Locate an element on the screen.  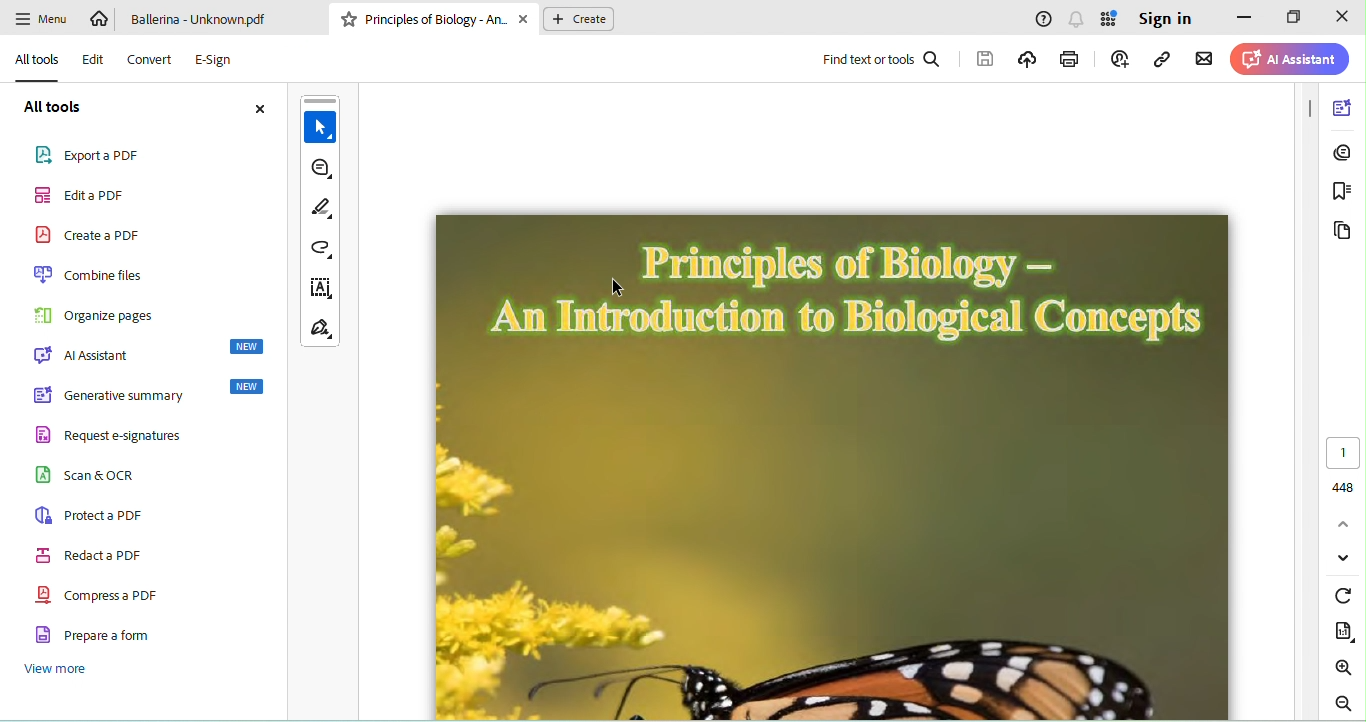
view more is located at coordinates (69, 668).